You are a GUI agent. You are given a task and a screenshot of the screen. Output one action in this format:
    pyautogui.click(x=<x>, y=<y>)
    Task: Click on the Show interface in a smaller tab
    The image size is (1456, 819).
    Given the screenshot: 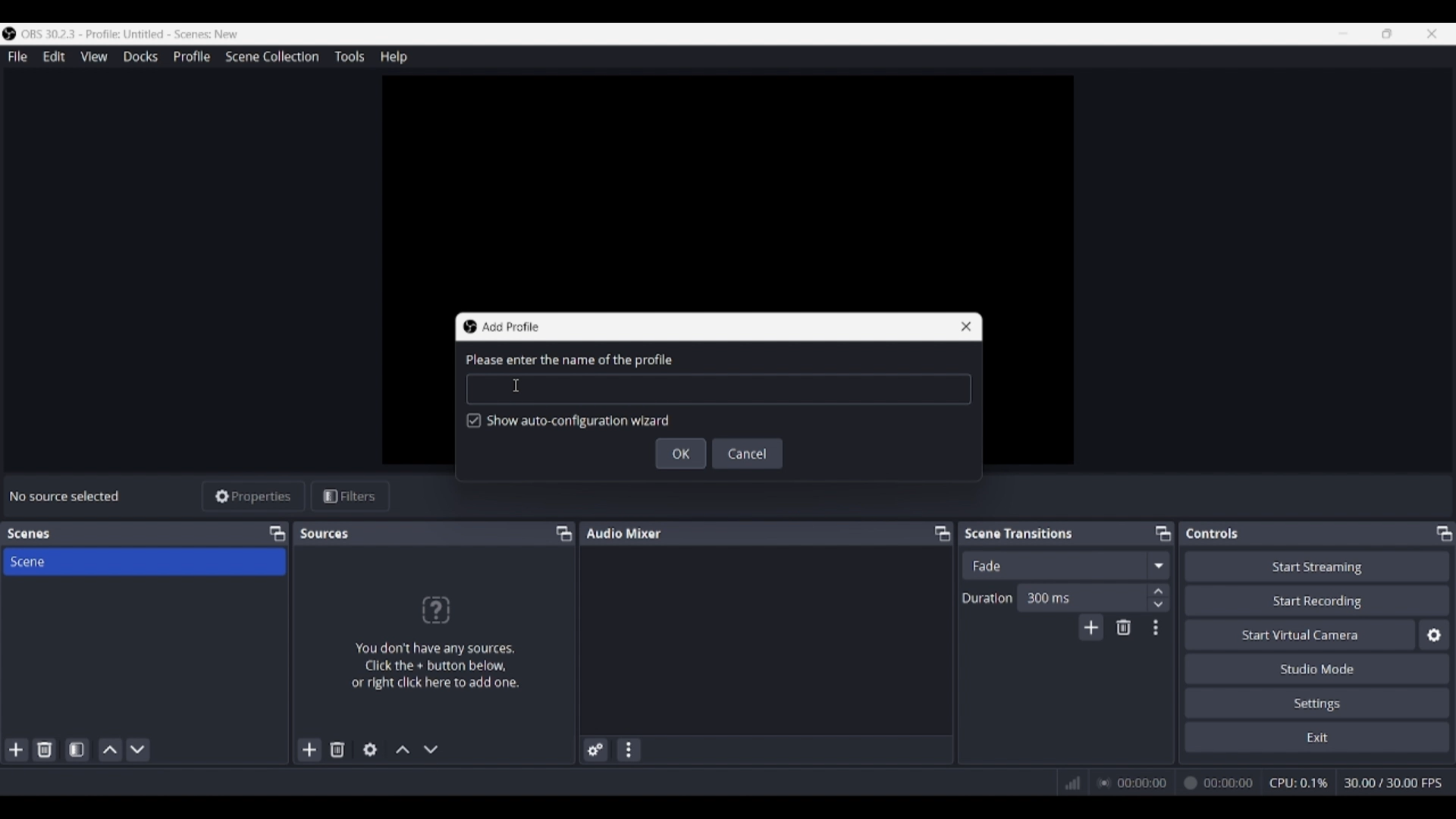 What is the action you would take?
    pyautogui.click(x=1387, y=33)
    